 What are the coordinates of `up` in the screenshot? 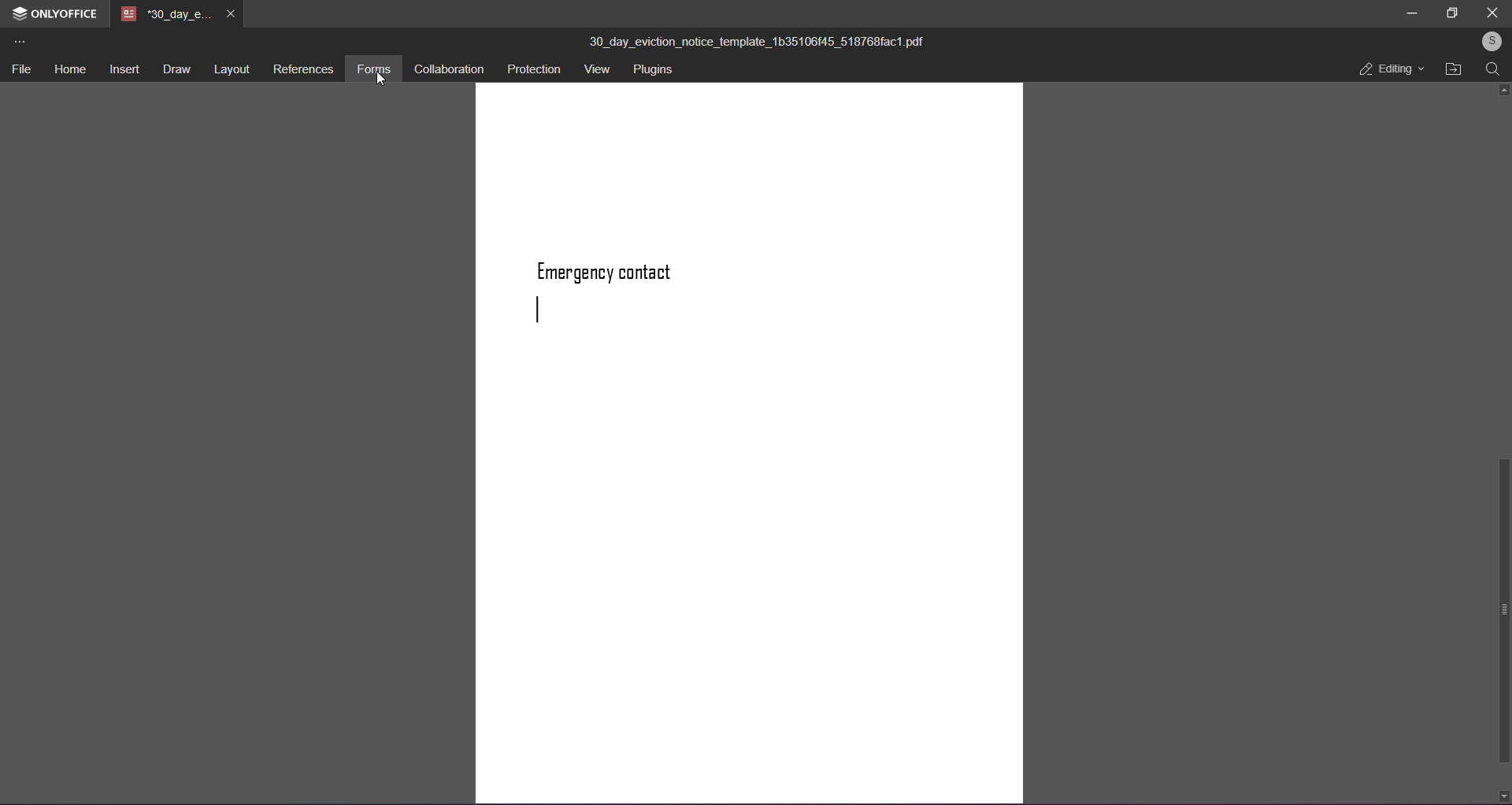 It's located at (1501, 90).